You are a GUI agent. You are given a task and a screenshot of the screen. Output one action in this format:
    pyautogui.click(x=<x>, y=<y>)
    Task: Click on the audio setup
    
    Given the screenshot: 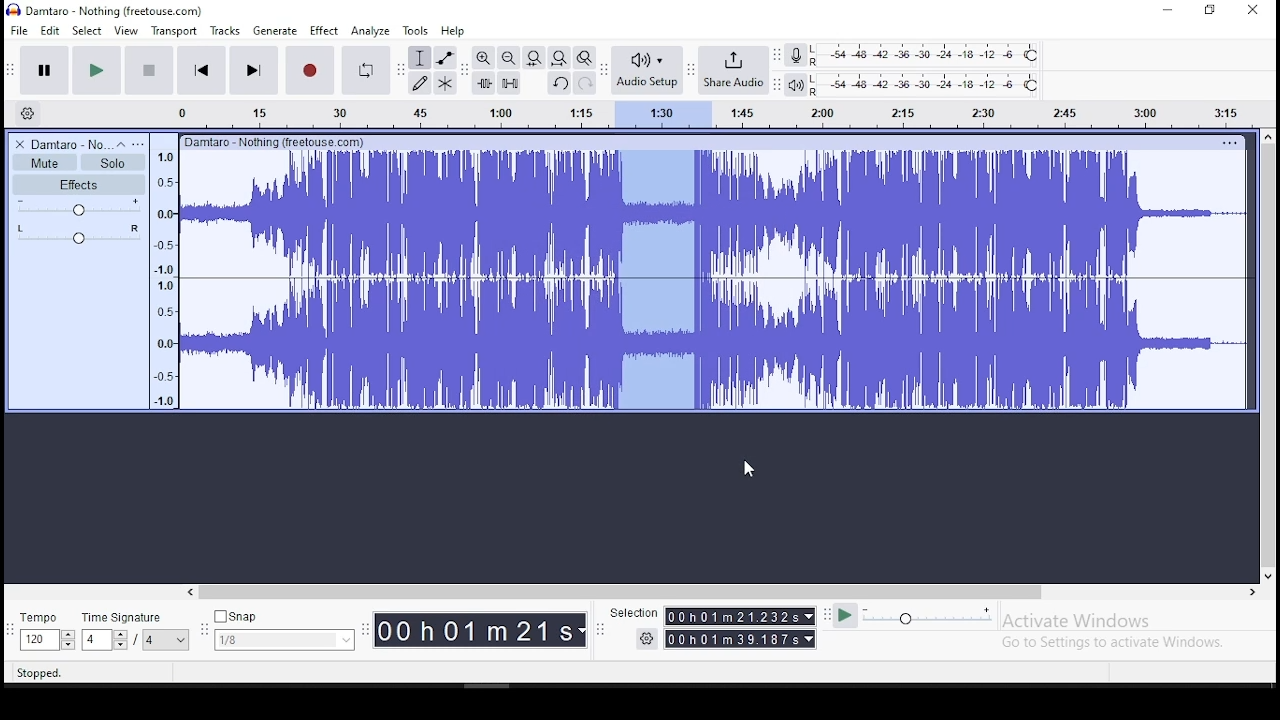 What is the action you would take?
    pyautogui.click(x=646, y=68)
    